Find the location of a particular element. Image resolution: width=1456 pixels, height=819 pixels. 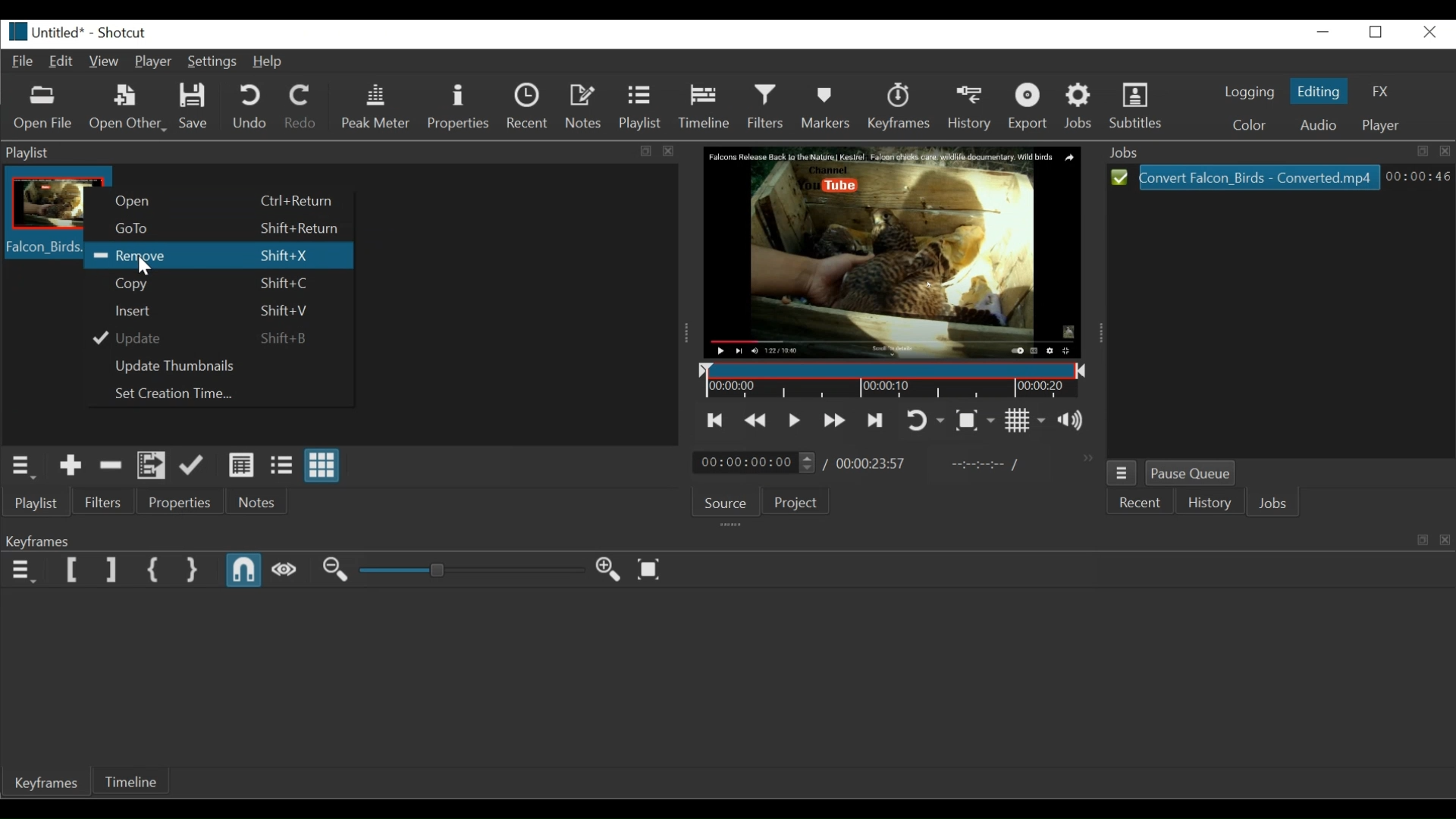

Jobs is located at coordinates (1276, 152).